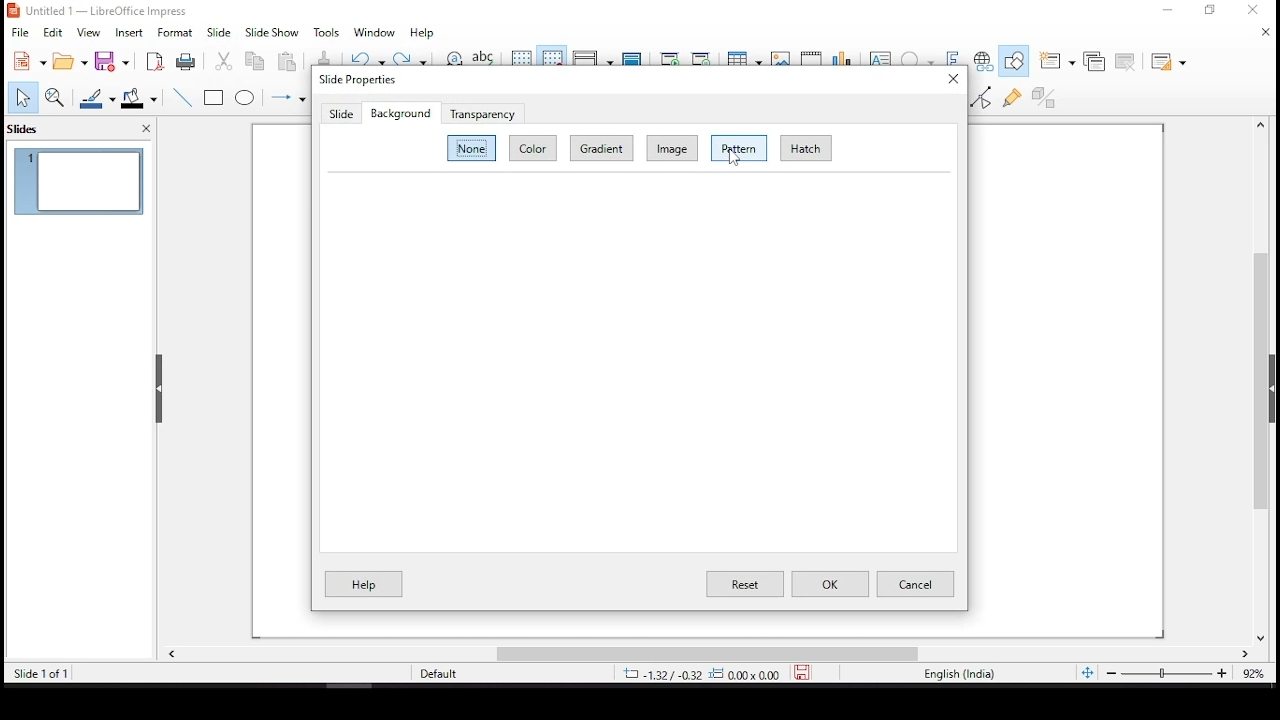 This screenshot has height=720, width=1280. What do you see at coordinates (1123, 60) in the screenshot?
I see `delete slide` at bounding box center [1123, 60].